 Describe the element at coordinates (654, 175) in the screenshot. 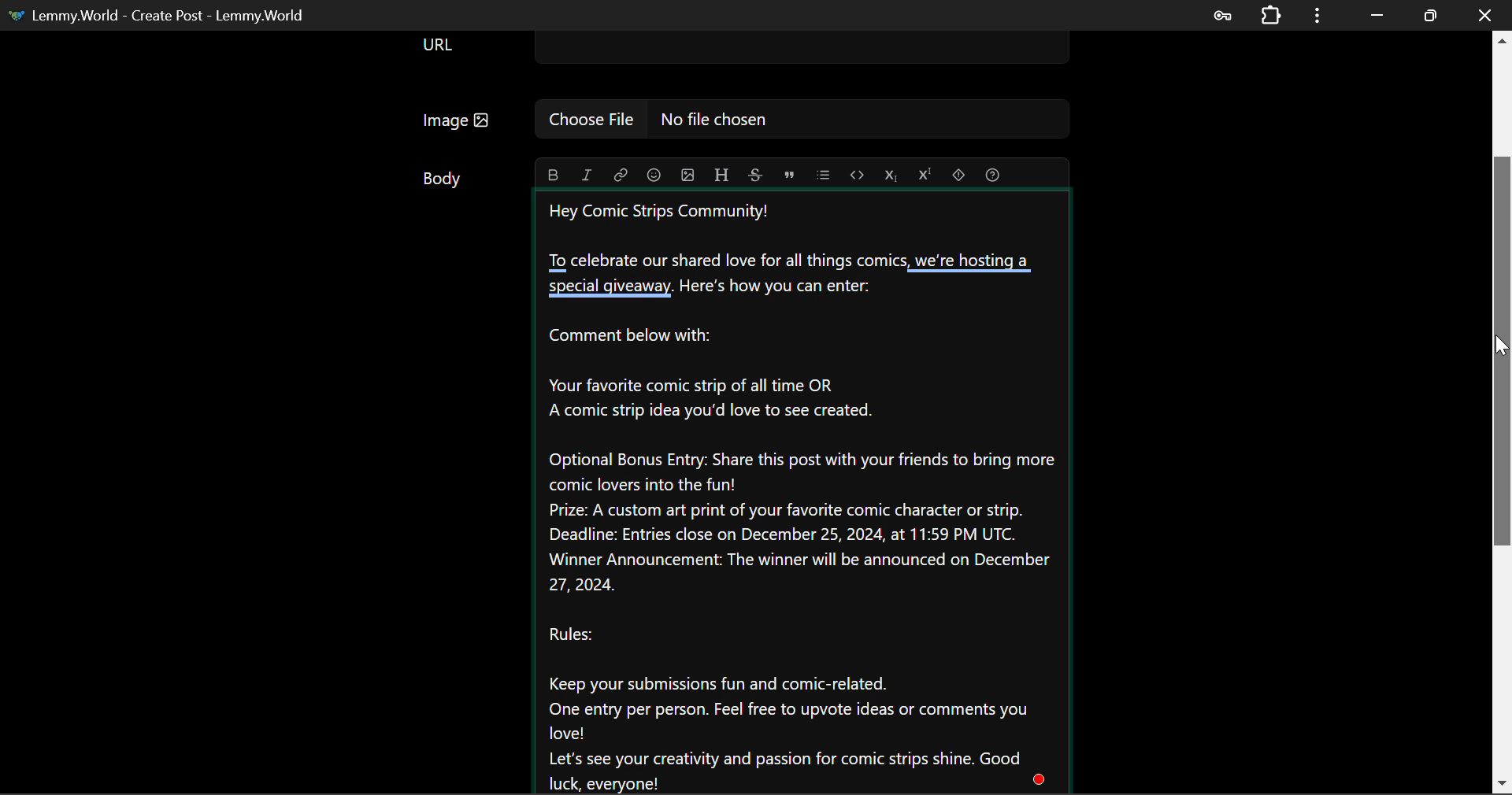

I see `emoji` at that location.